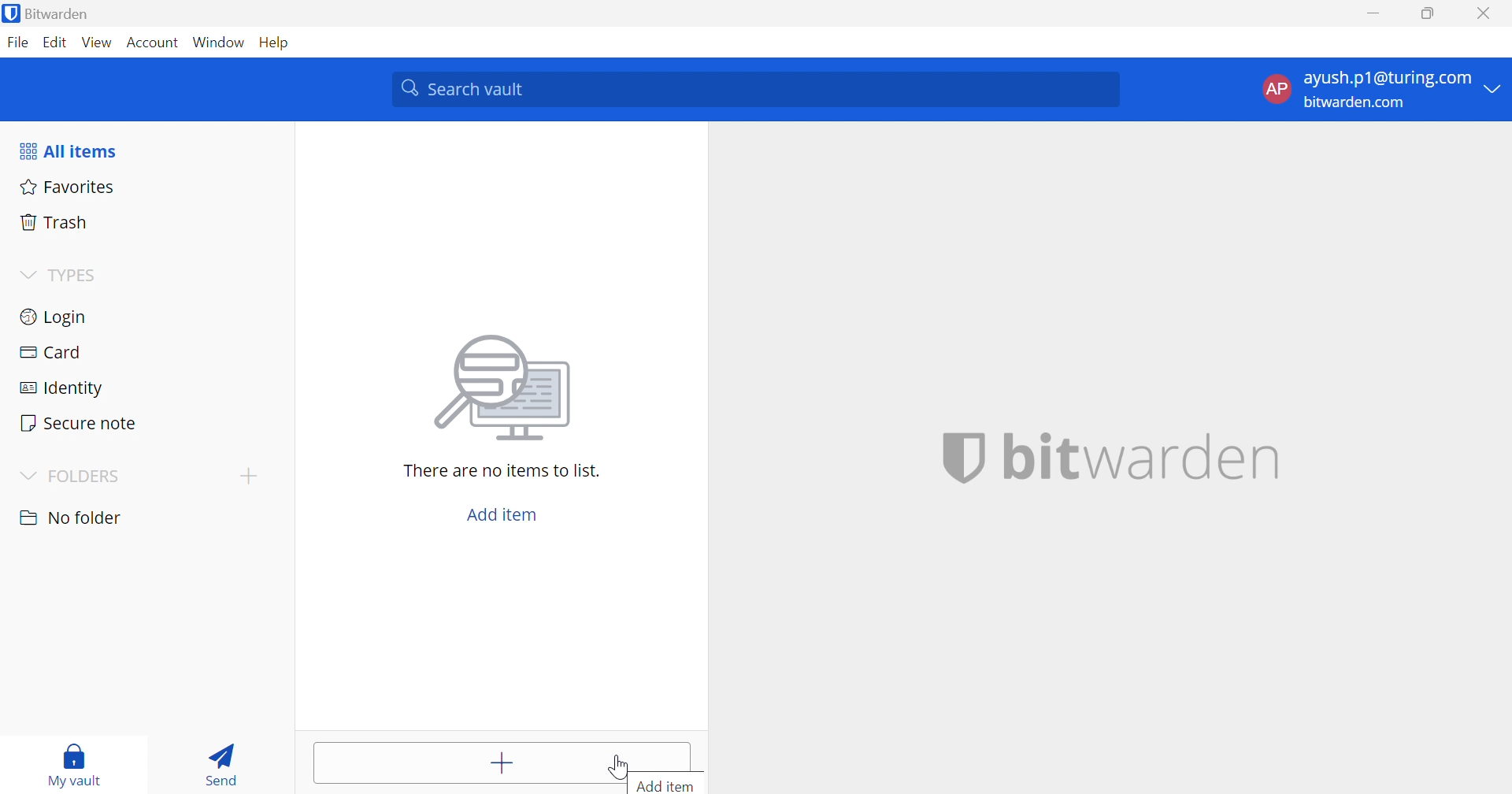  Describe the element at coordinates (67, 151) in the screenshot. I see `All items` at that location.